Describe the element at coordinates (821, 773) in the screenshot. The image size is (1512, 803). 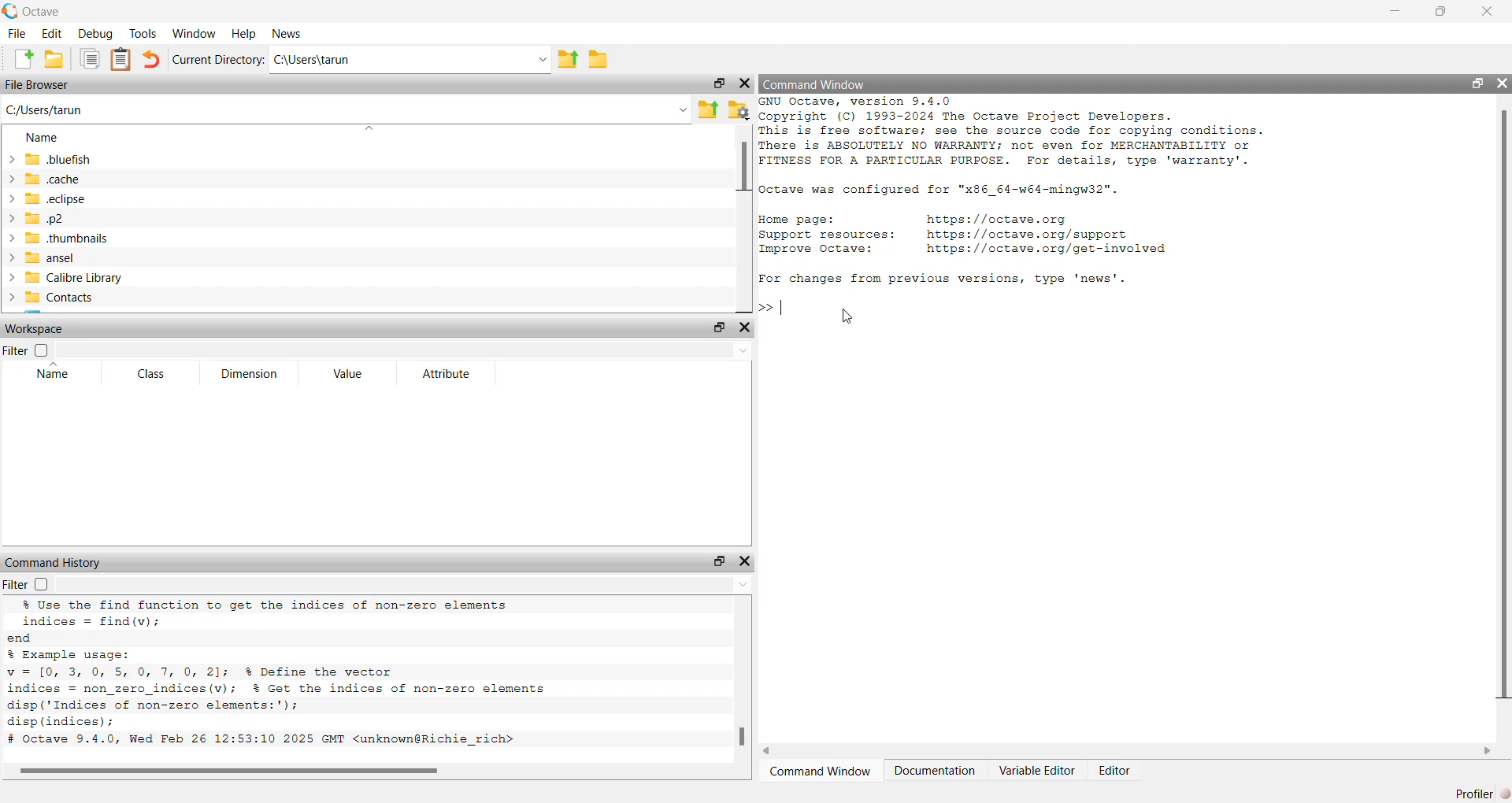
I see `Command Window` at that location.